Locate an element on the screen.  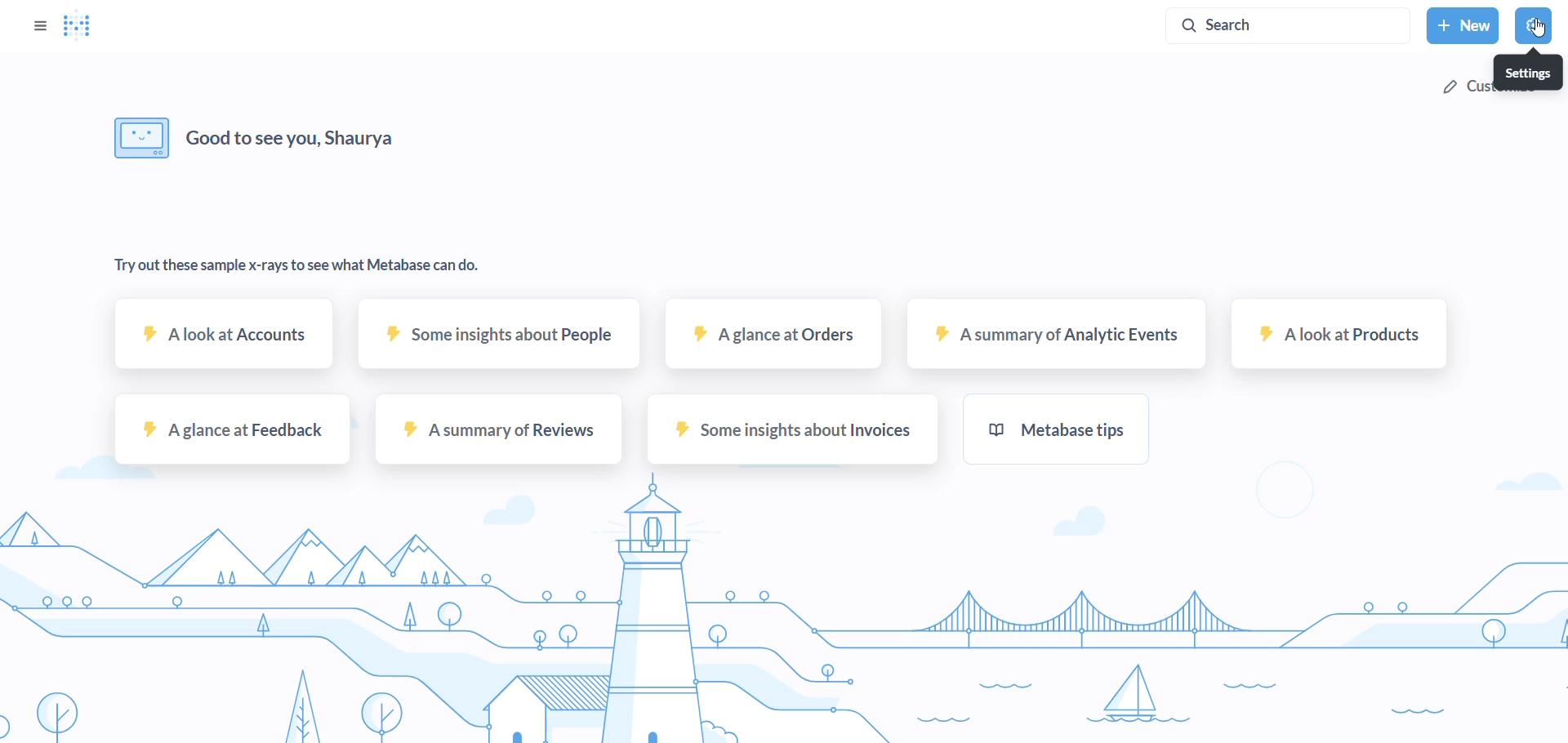
a summary of reviews is located at coordinates (497, 434).